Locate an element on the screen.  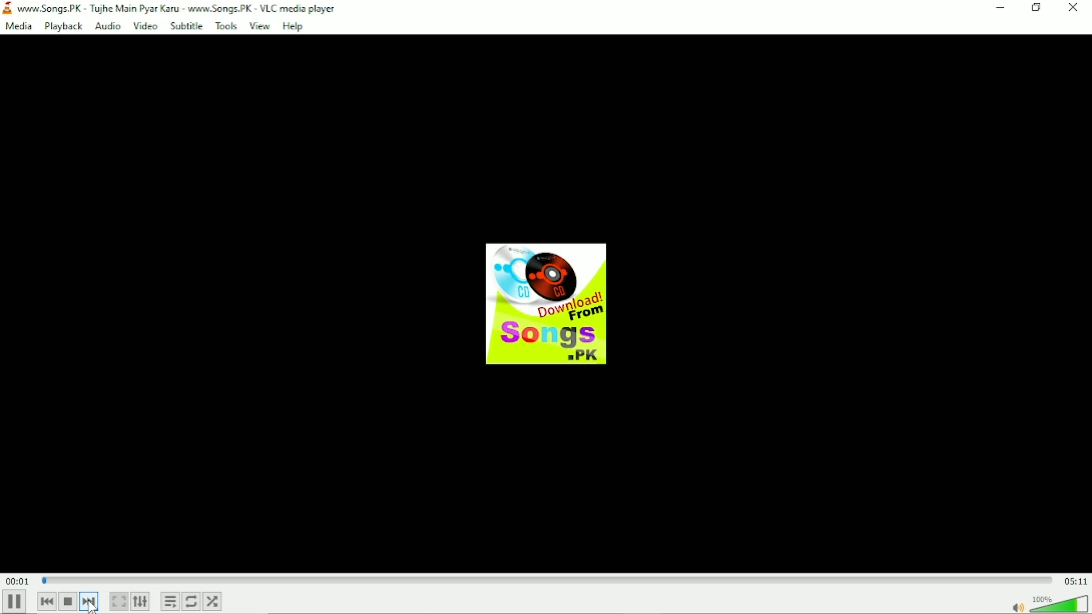
Previous is located at coordinates (45, 601).